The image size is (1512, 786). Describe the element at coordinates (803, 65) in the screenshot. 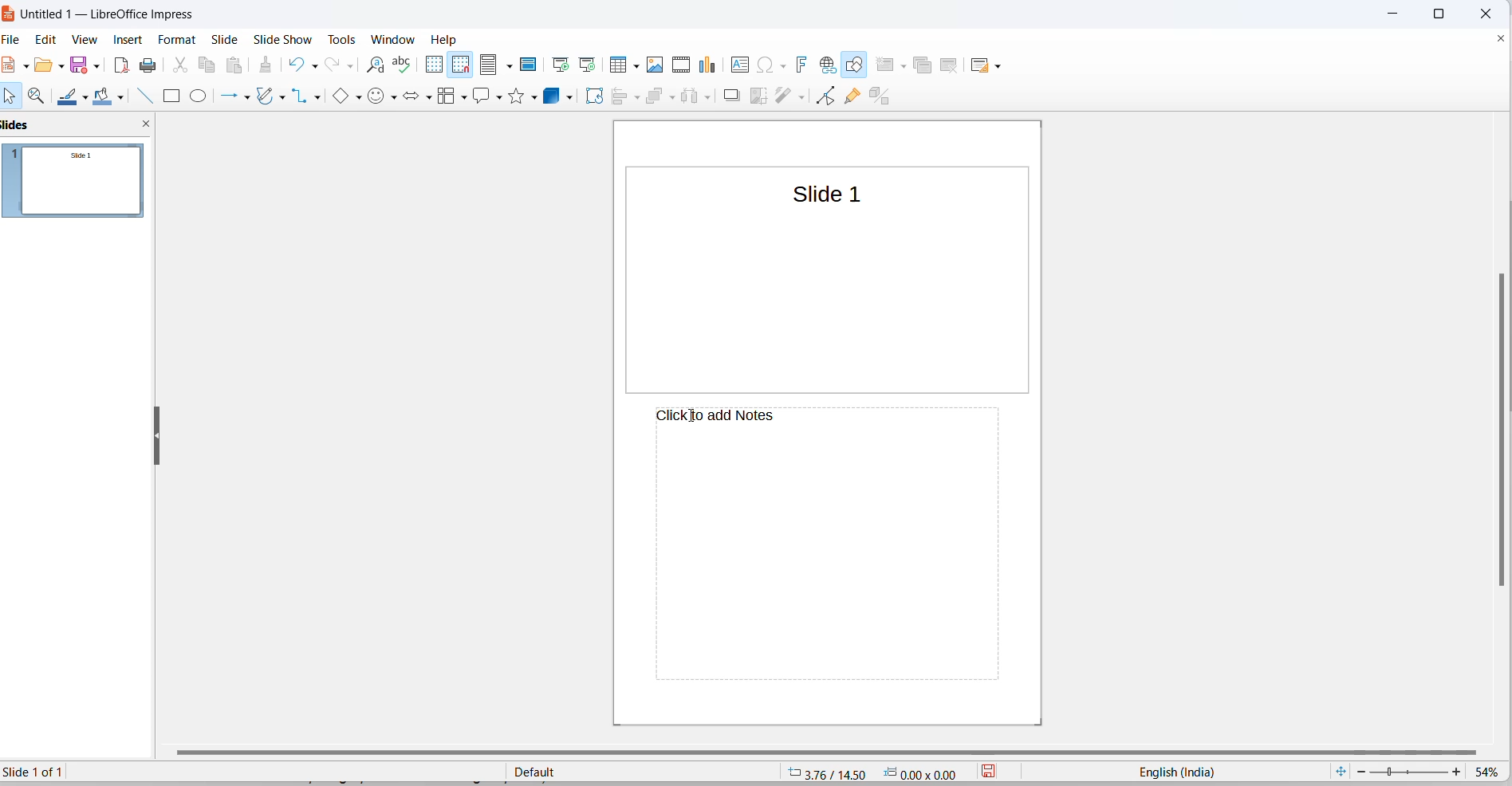

I see `insert fontwork text` at that location.